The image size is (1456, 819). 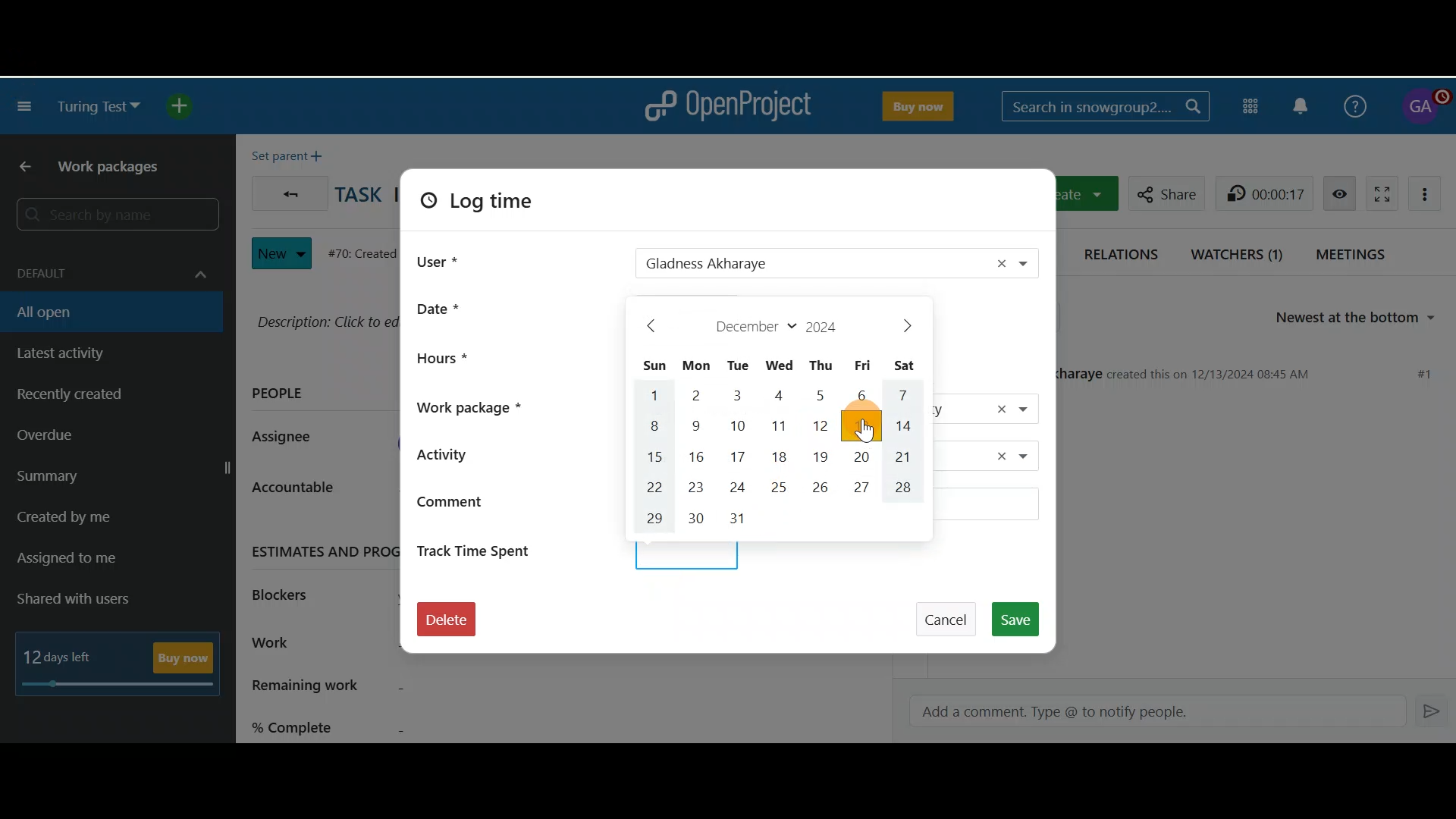 What do you see at coordinates (438, 259) in the screenshot?
I see `User` at bounding box center [438, 259].